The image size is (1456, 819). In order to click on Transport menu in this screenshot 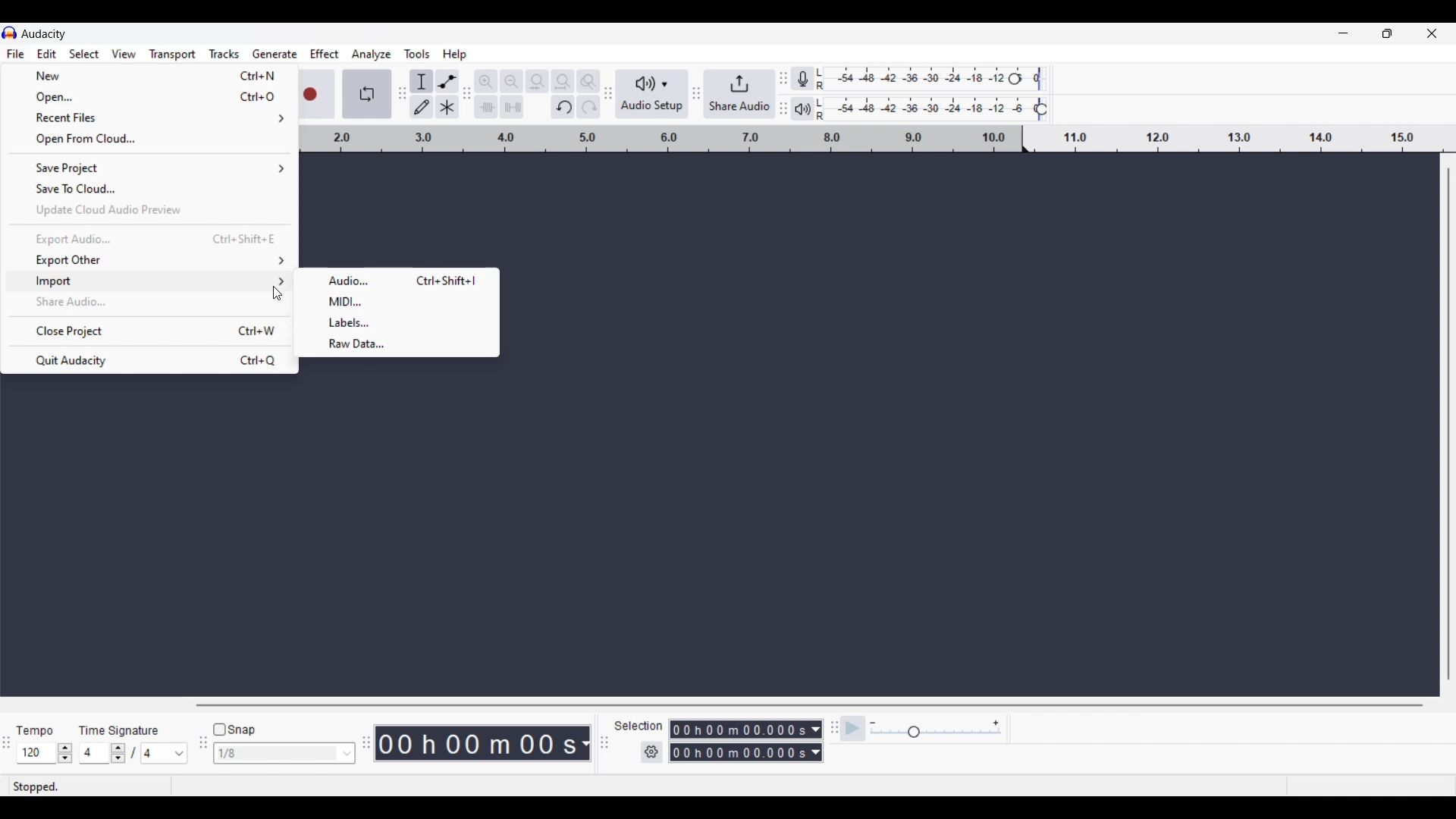, I will do `click(172, 54)`.